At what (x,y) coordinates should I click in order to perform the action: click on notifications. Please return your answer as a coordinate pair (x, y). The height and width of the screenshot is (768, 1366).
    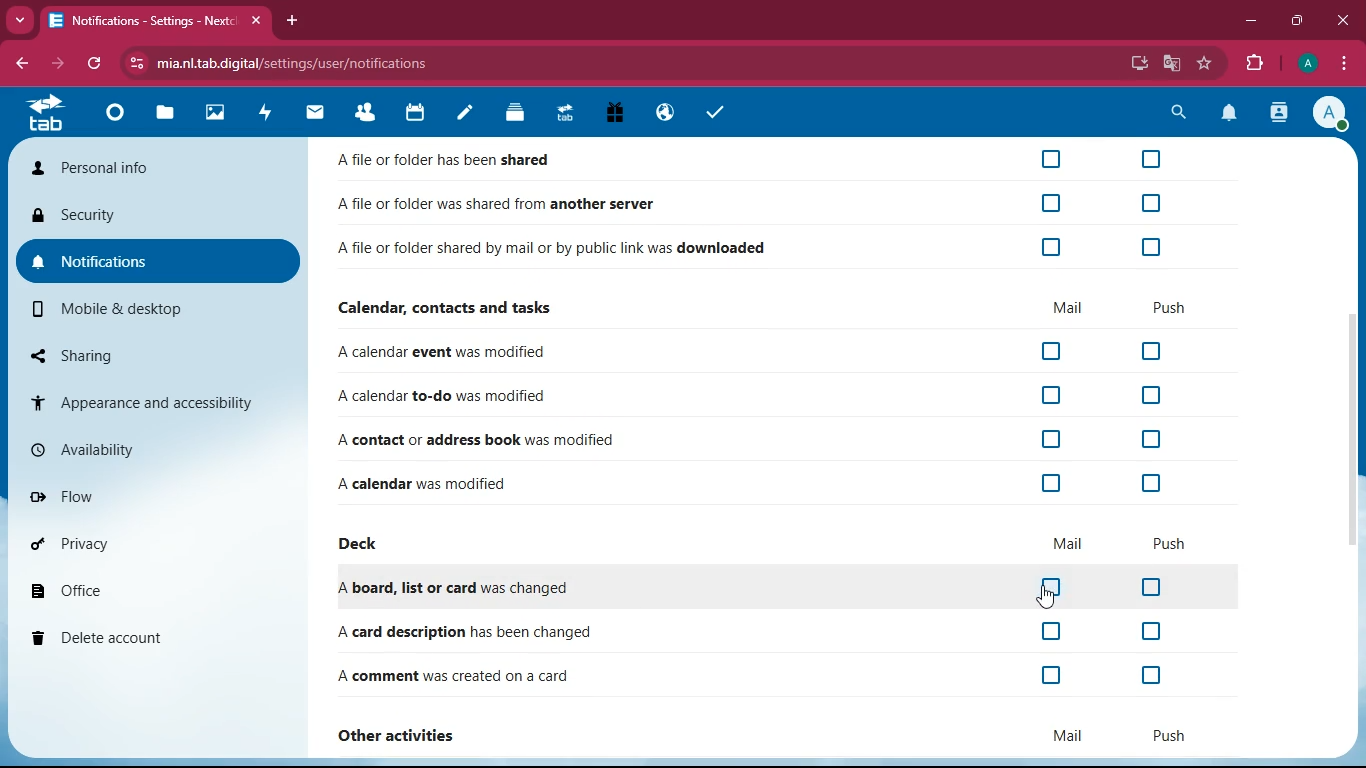
    Looking at the image, I should click on (1226, 114).